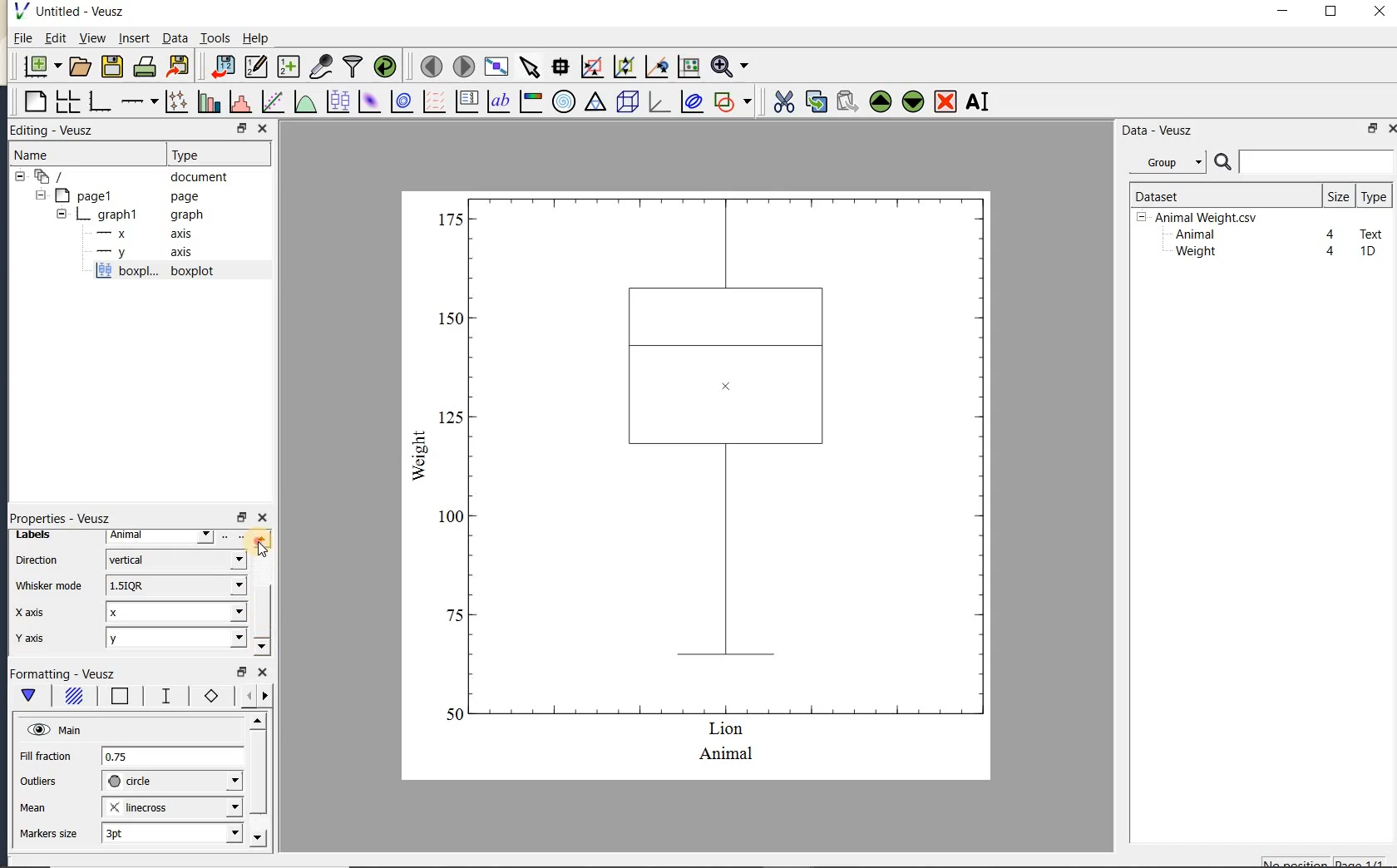 Image resolution: width=1397 pixels, height=868 pixels. What do you see at coordinates (59, 515) in the screenshot?
I see `Properties - Veusz` at bounding box center [59, 515].